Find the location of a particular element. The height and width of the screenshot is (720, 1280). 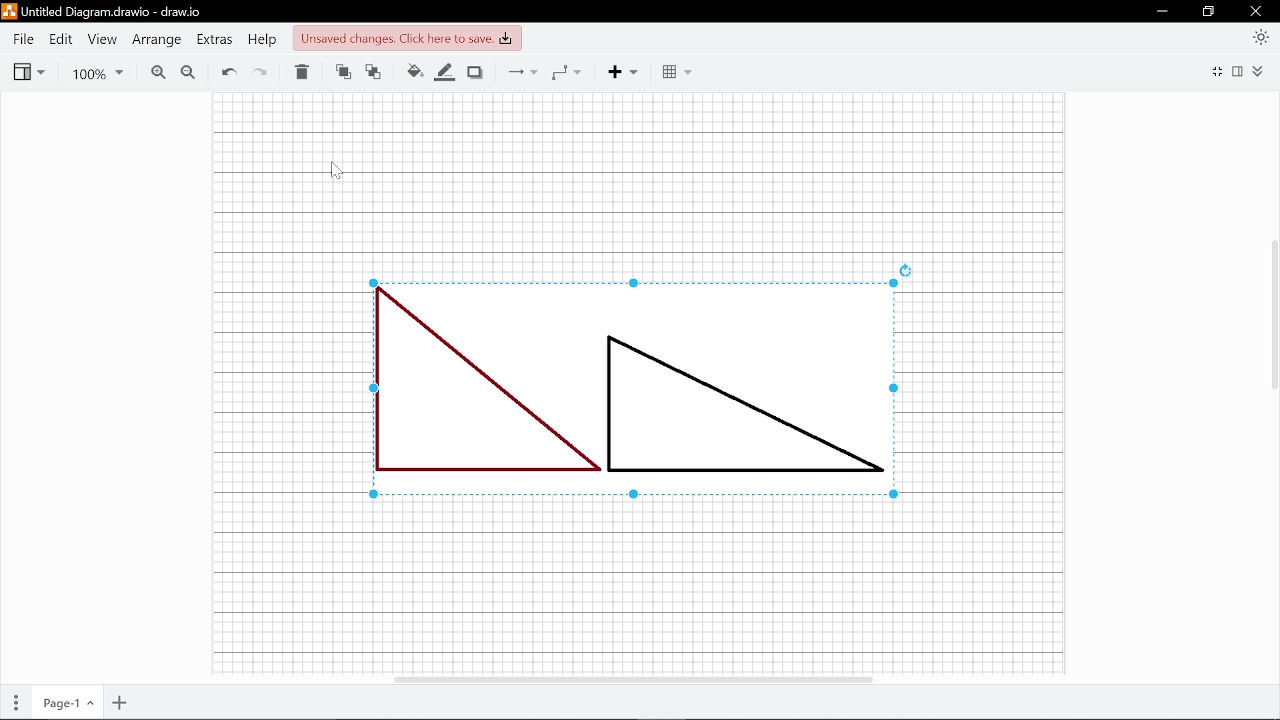

Collapse/expand is located at coordinates (1261, 73).